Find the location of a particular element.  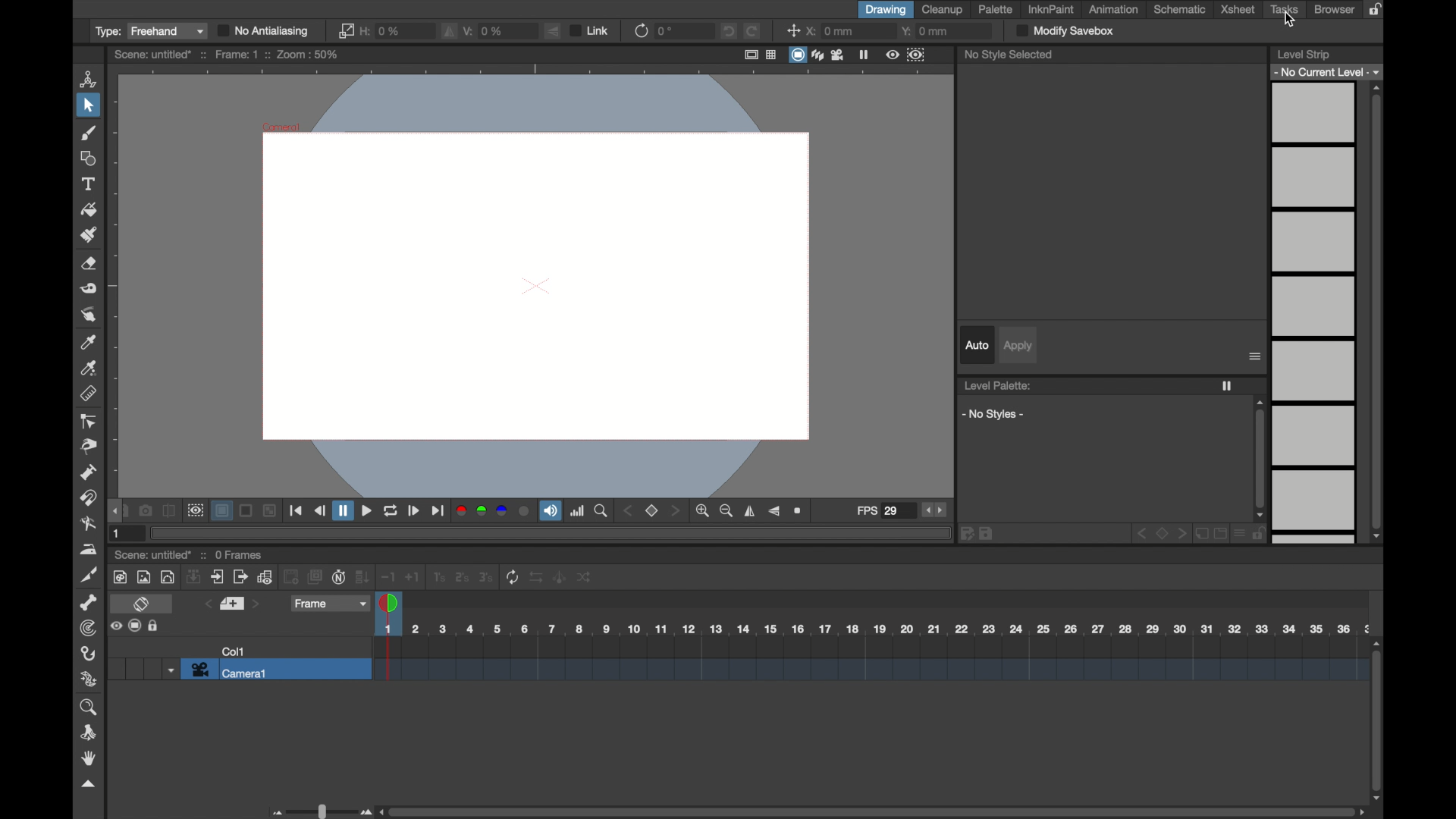

scene scale is located at coordinates (871, 629).